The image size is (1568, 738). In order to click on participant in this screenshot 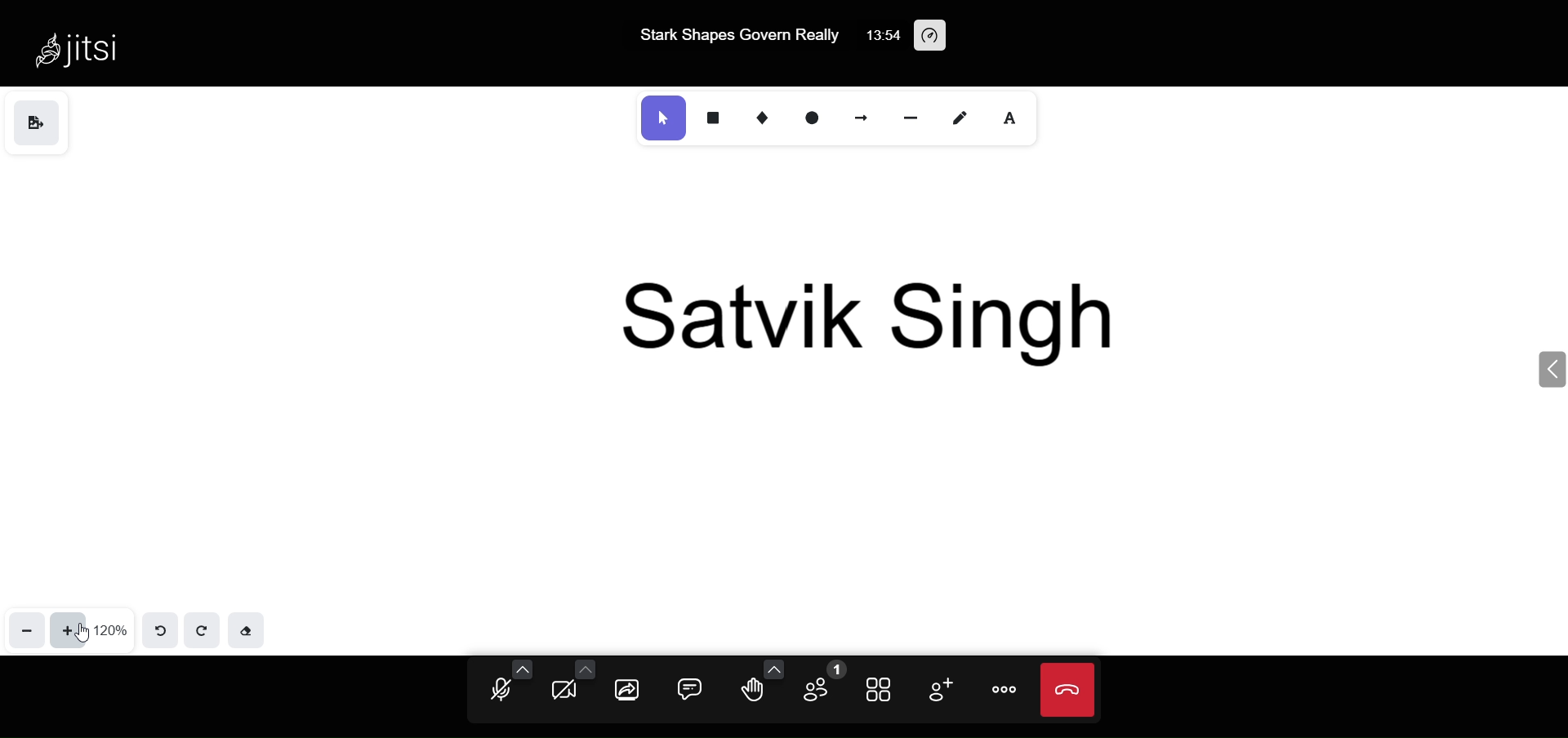, I will do `click(822, 687)`.